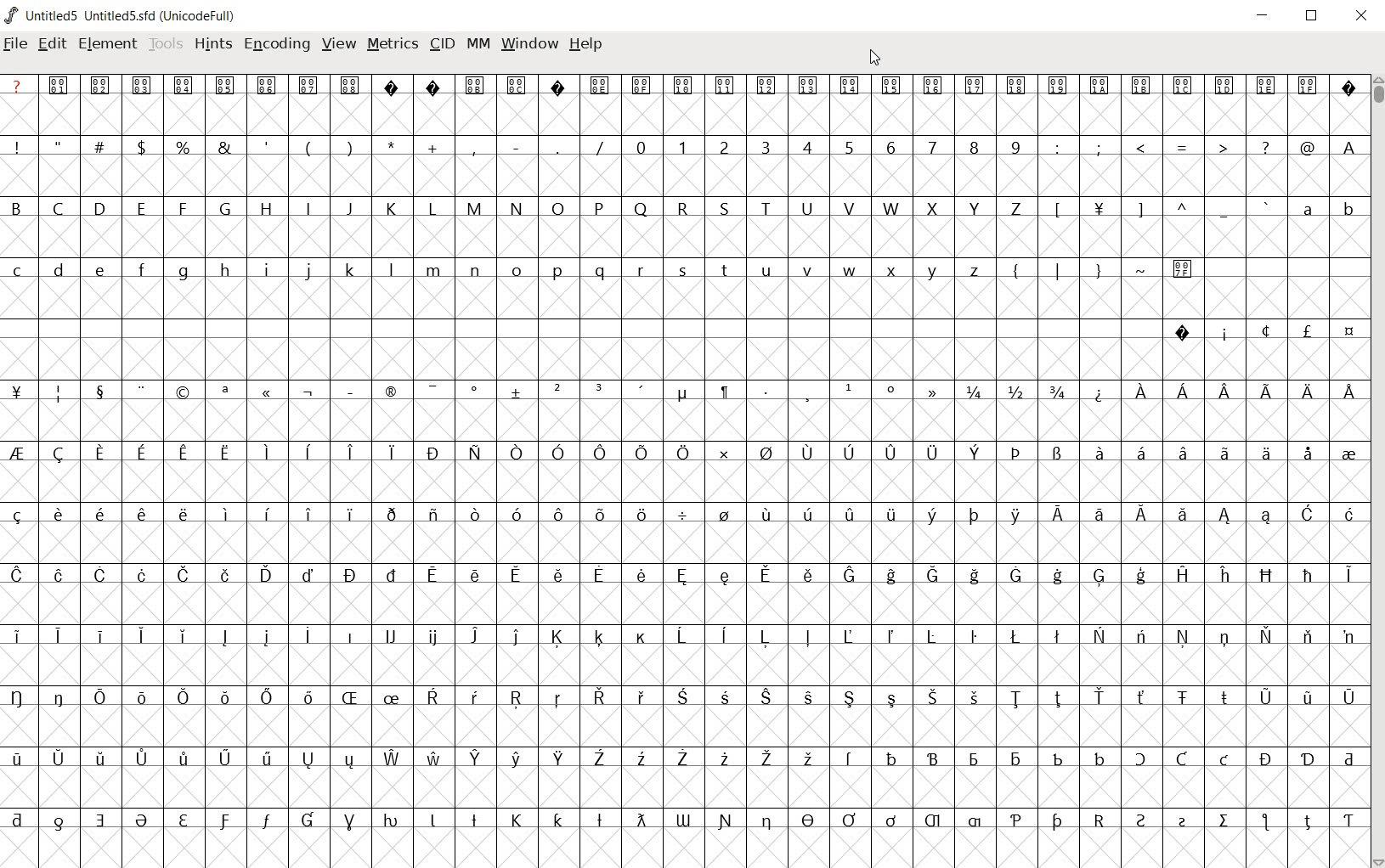 The image size is (1385, 868). What do you see at coordinates (1348, 389) in the screenshot?
I see `Symbol` at bounding box center [1348, 389].